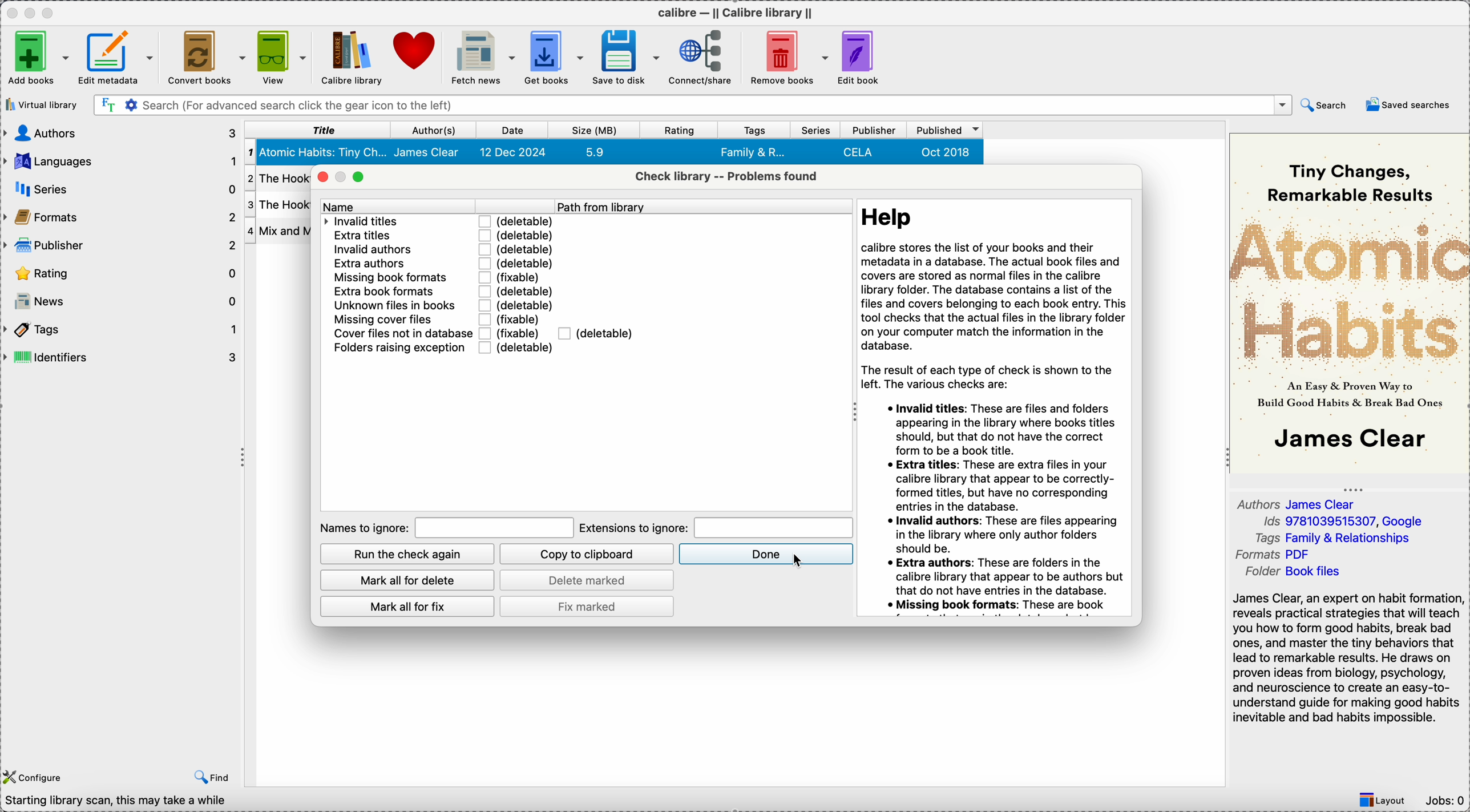 The image size is (1470, 812). What do you see at coordinates (705, 207) in the screenshot?
I see `path from library` at bounding box center [705, 207].